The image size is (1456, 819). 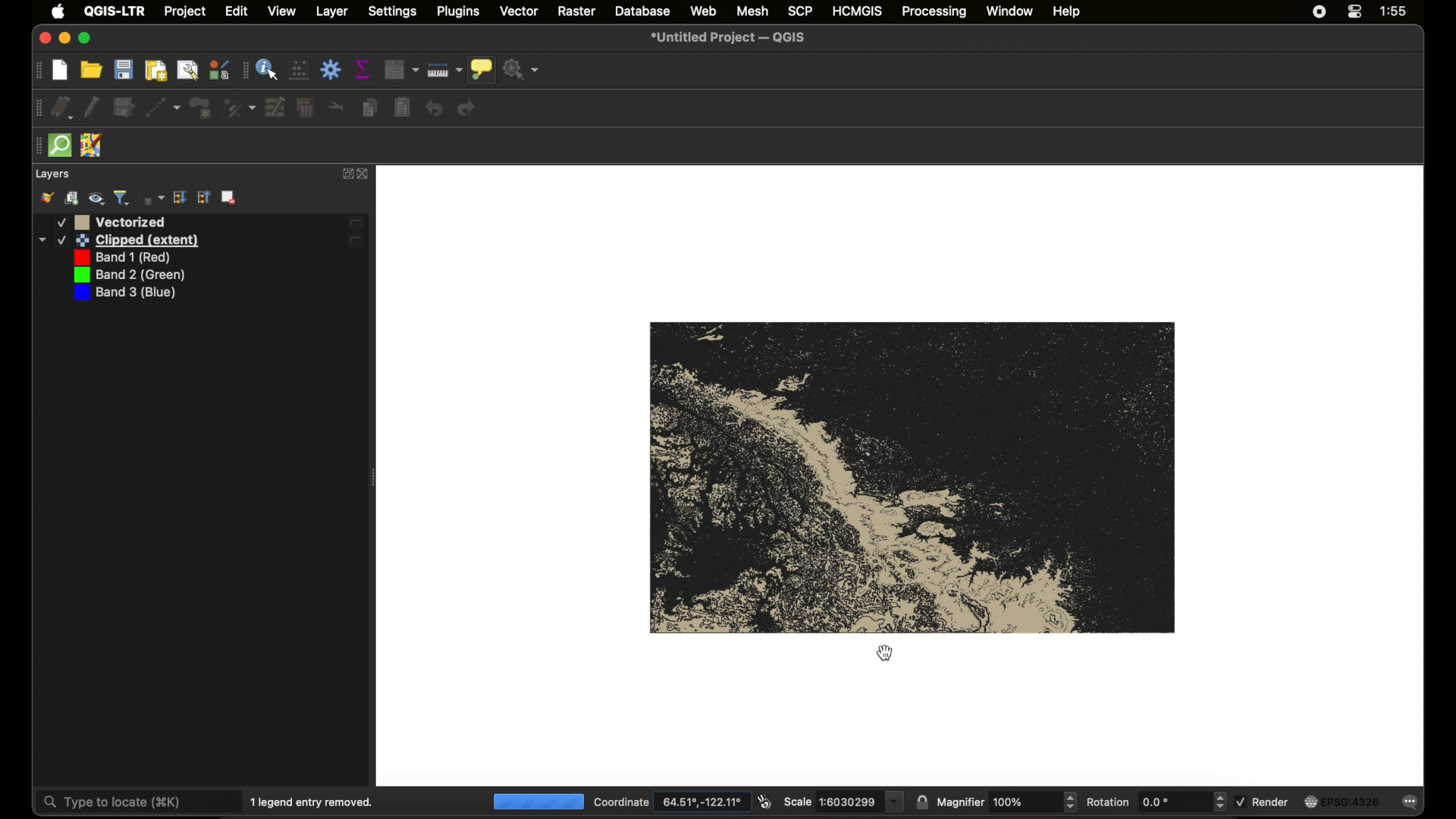 What do you see at coordinates (459, 11) in the screenshot?
I see `plugins` at bounding box center [459, 11].